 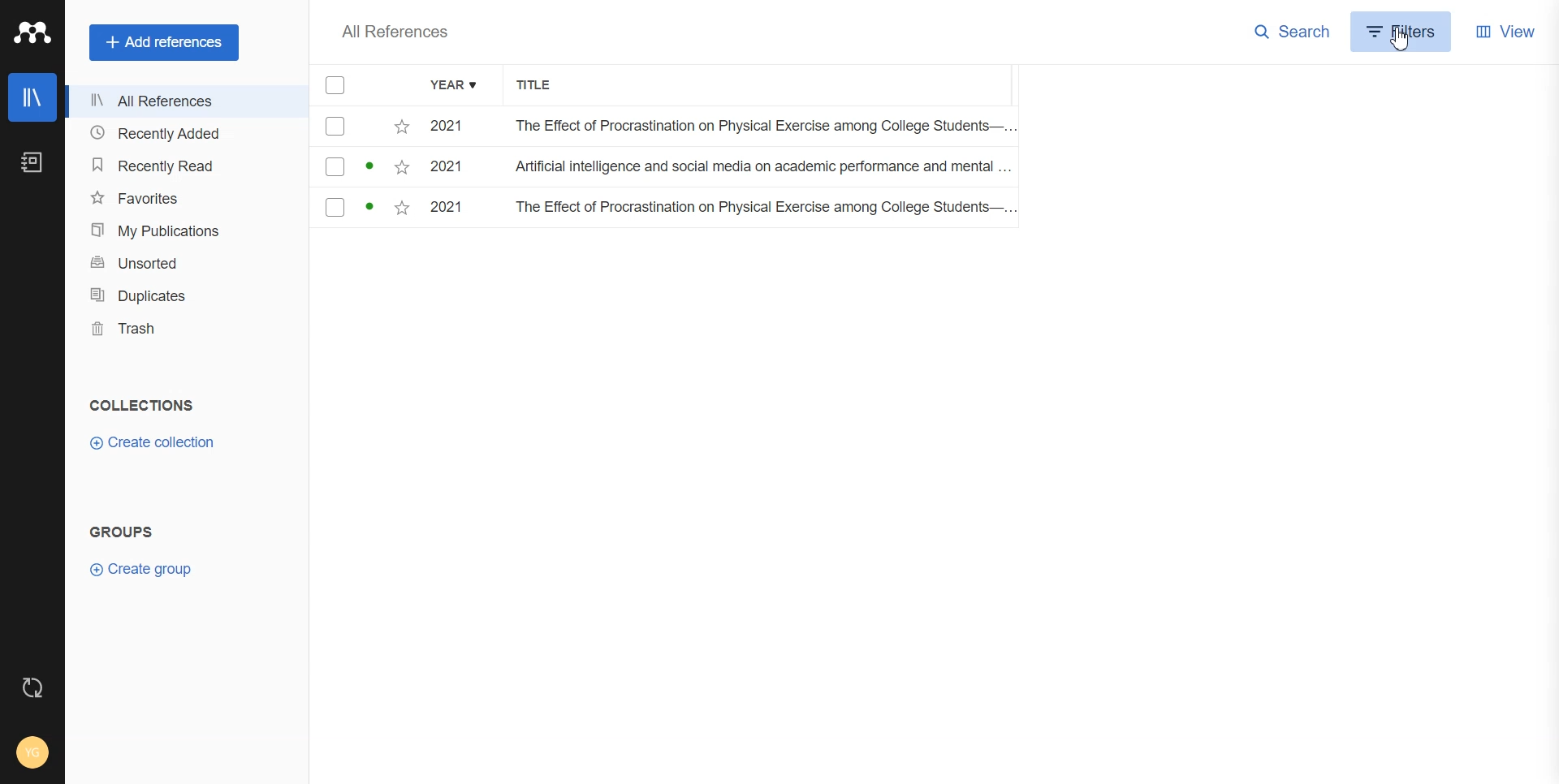 What do you see at coordinates (185, 134) in the screenshot?
I see `Recently added` at bounding box center [185, 134].